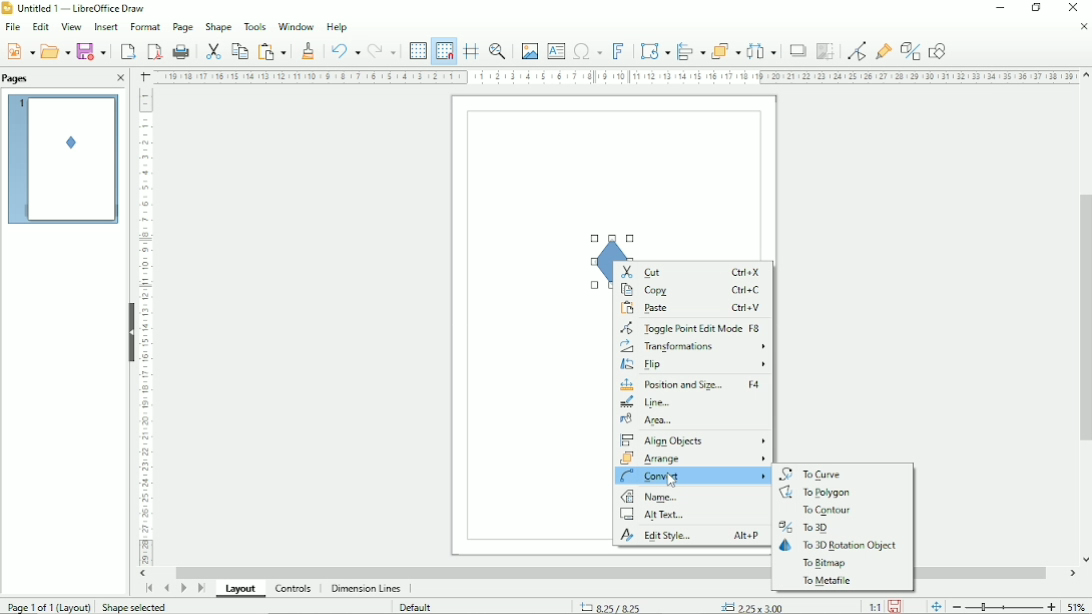  What do you see at coordinates (910, 49) in the screenshot?
I see `Toggle extrusion` at bounding box center [910, 49].